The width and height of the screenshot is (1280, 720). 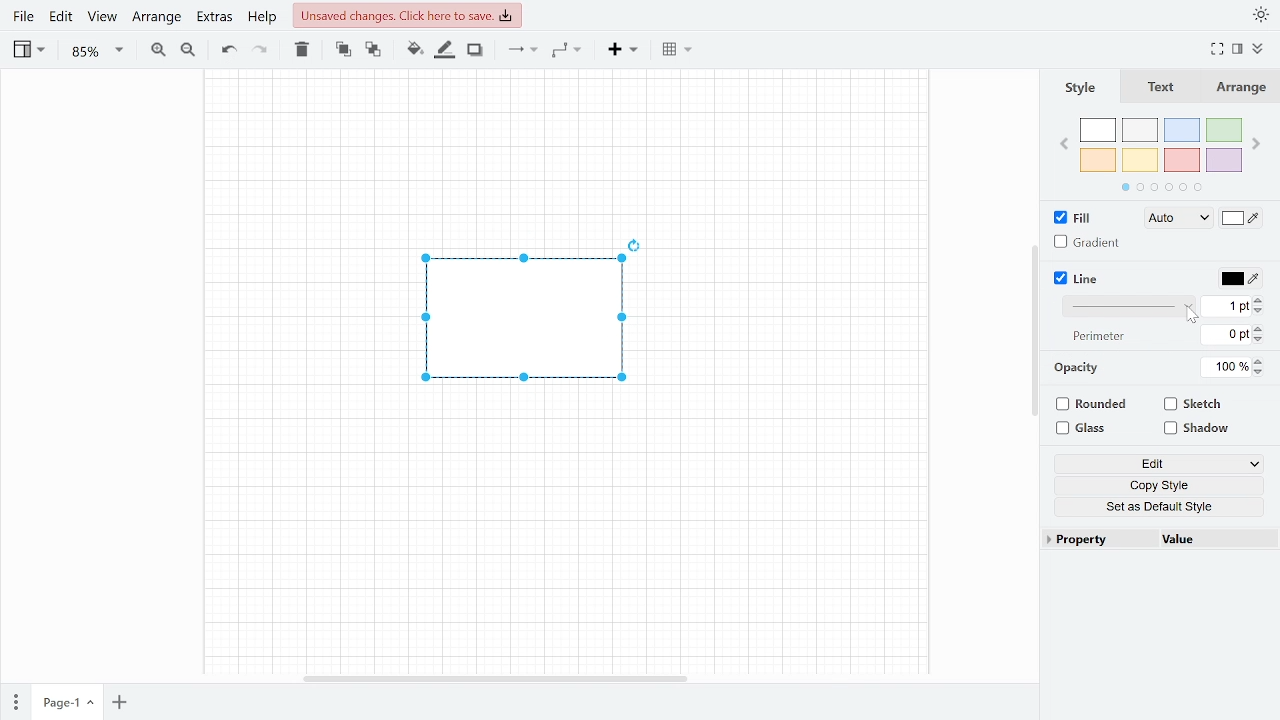 I want to click on Glass, so click(x=1090, y=429).